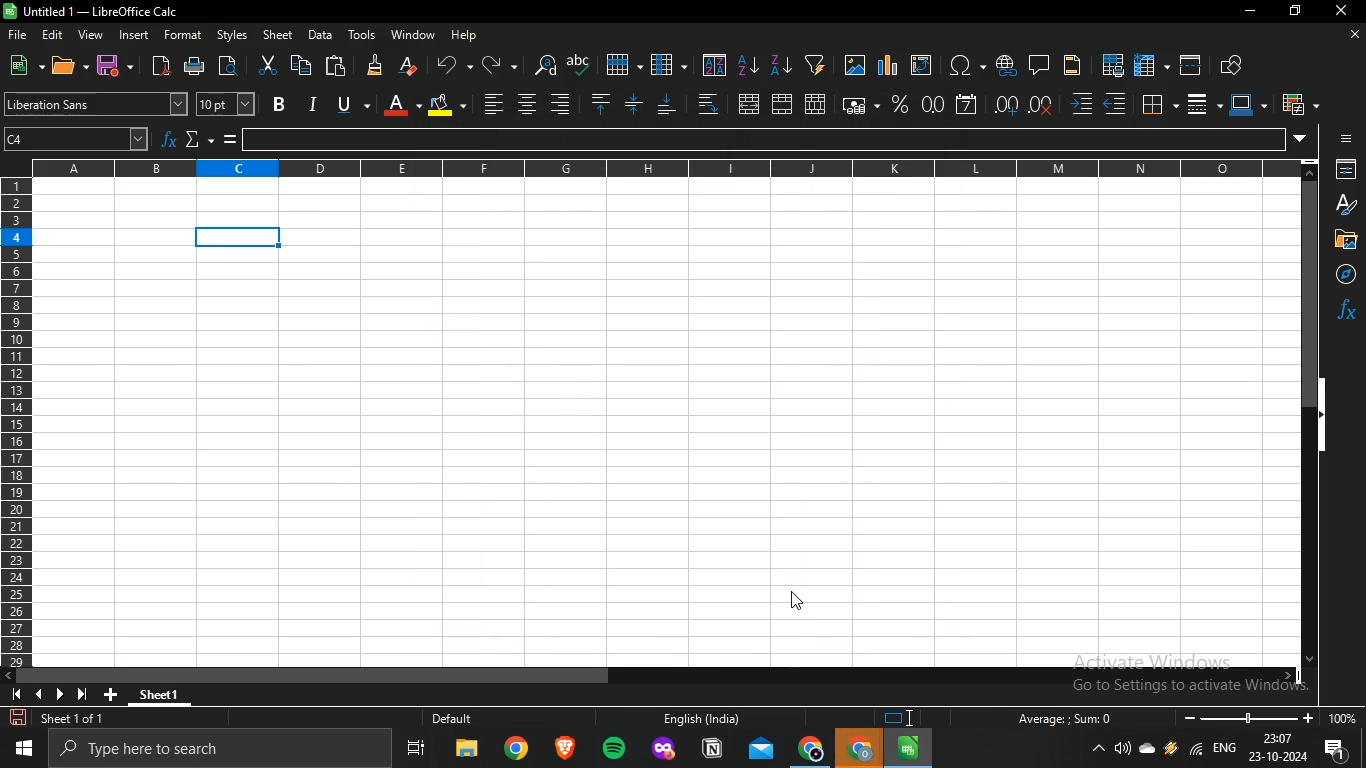  Describe the element at coordinates (1343, 239) in the screenshot. I see `` at that location.